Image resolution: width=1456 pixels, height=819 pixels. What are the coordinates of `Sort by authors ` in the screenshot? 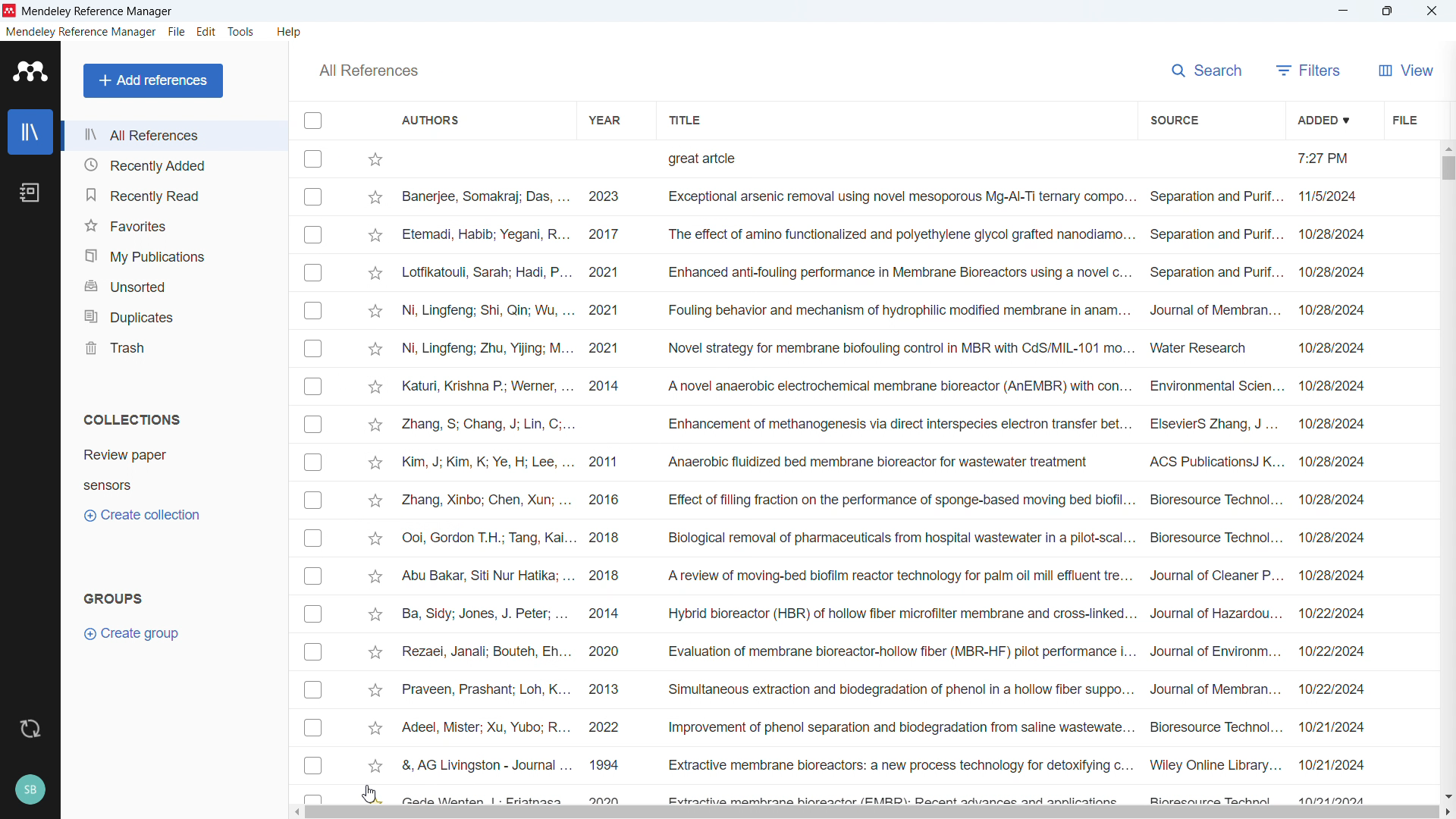 It's located at (431, 119).